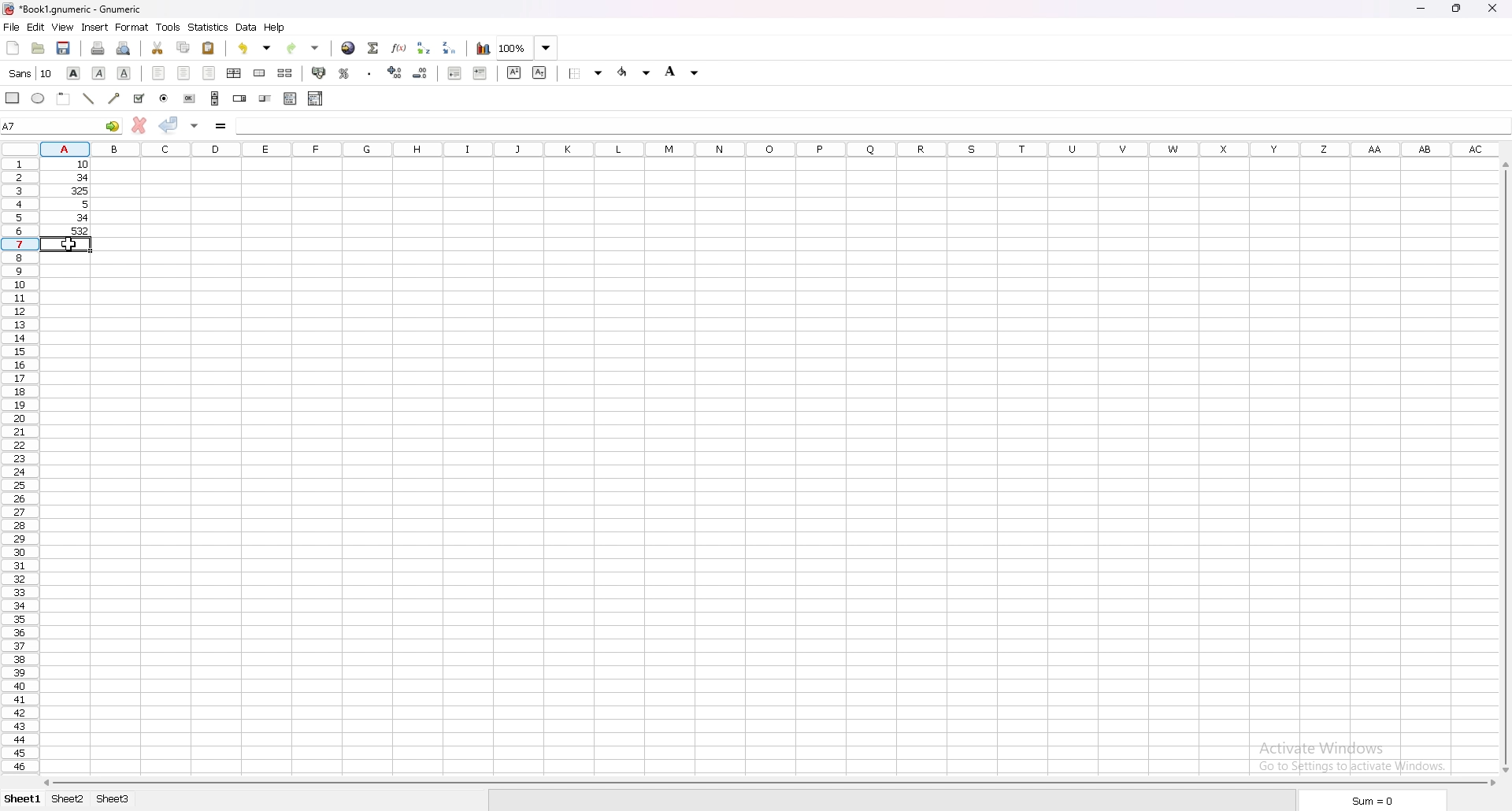 Image resolution: width=1512 pixels, height=811 pixels. Describe the element at coordinates (276, 28) in the screenshot. I see `help` at that location.